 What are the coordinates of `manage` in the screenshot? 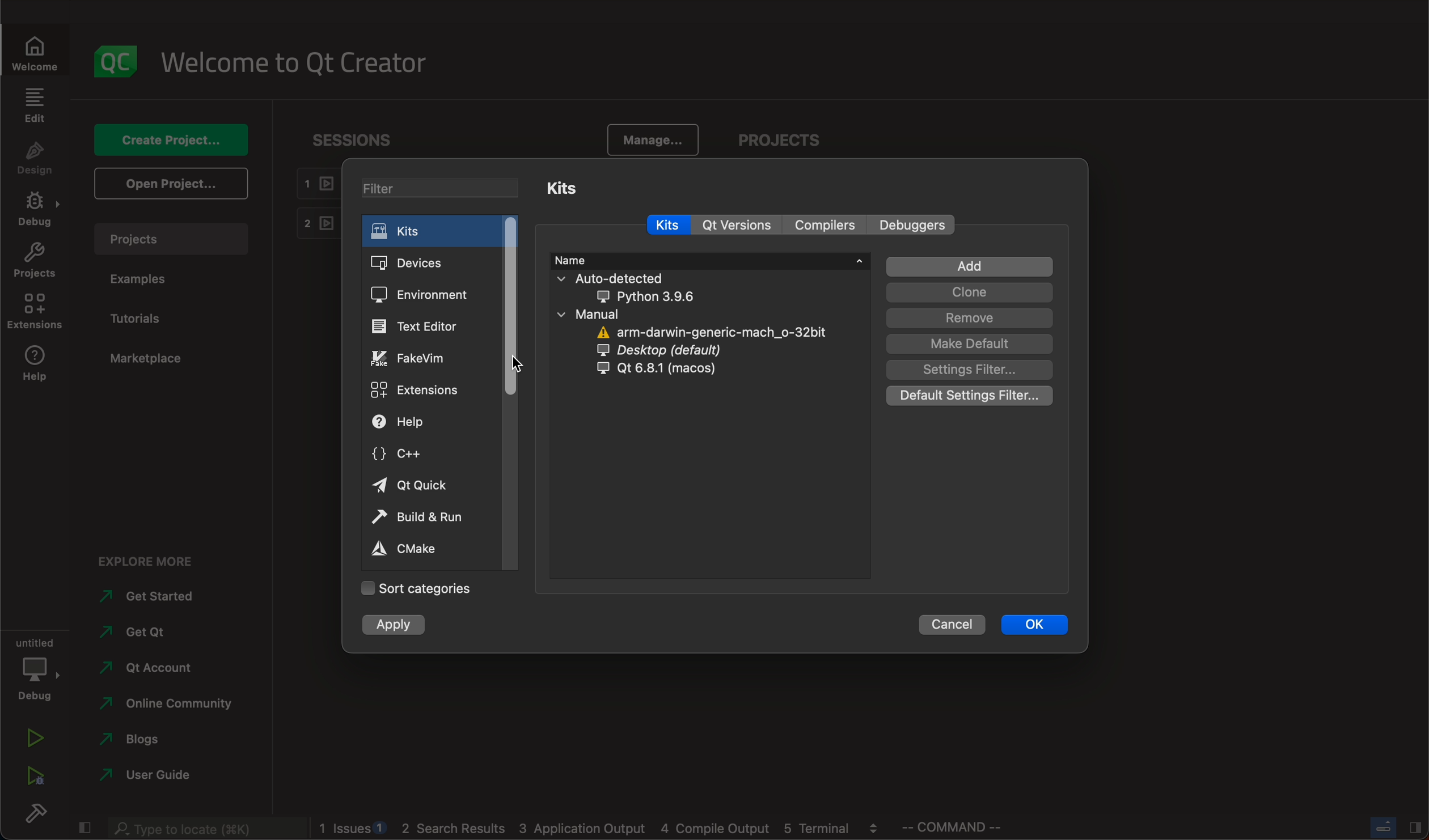 It's located at (653, 139).